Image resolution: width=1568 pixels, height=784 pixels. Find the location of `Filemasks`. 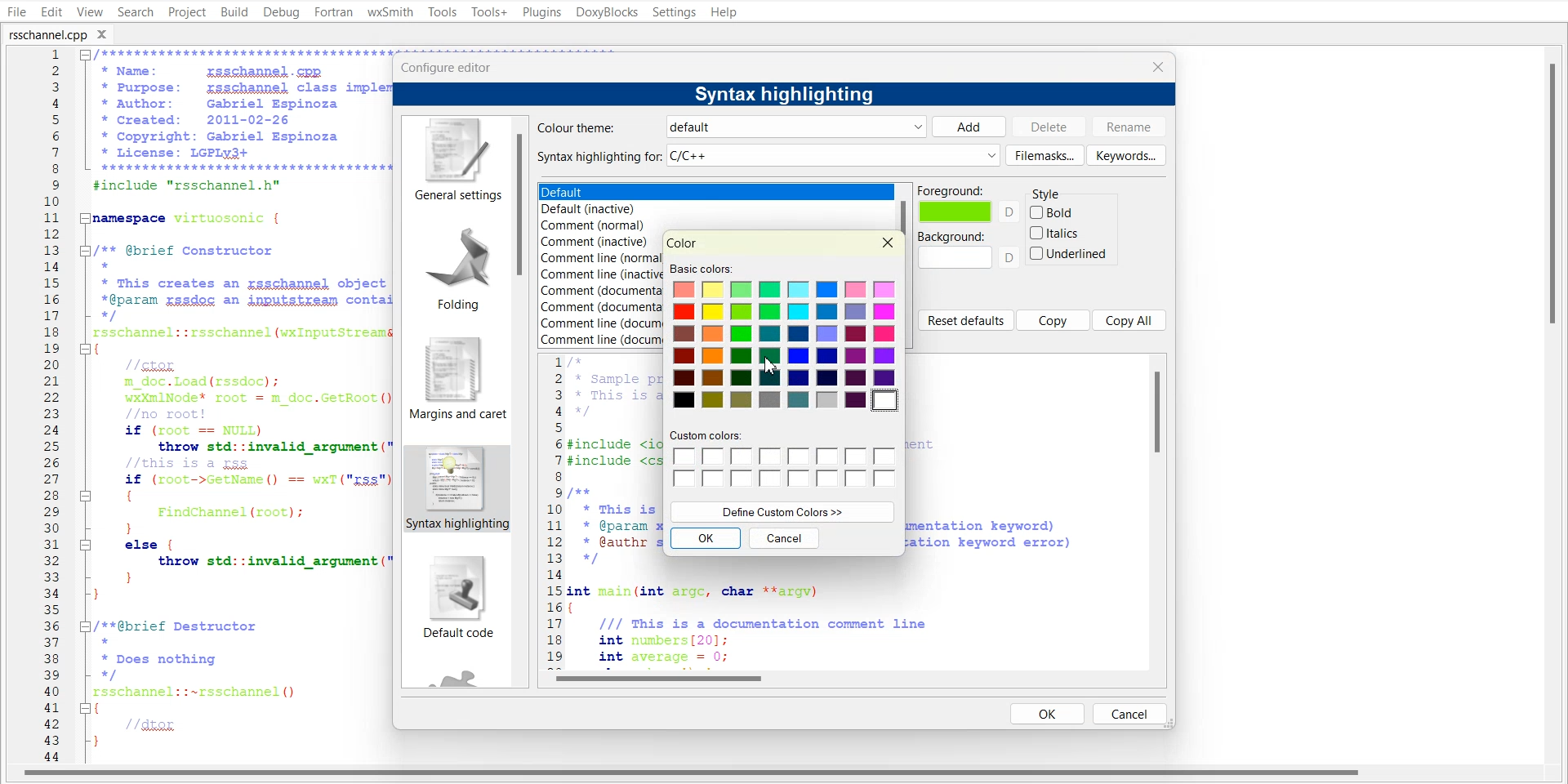

Filemasks is located at coordinates (1045, 155).